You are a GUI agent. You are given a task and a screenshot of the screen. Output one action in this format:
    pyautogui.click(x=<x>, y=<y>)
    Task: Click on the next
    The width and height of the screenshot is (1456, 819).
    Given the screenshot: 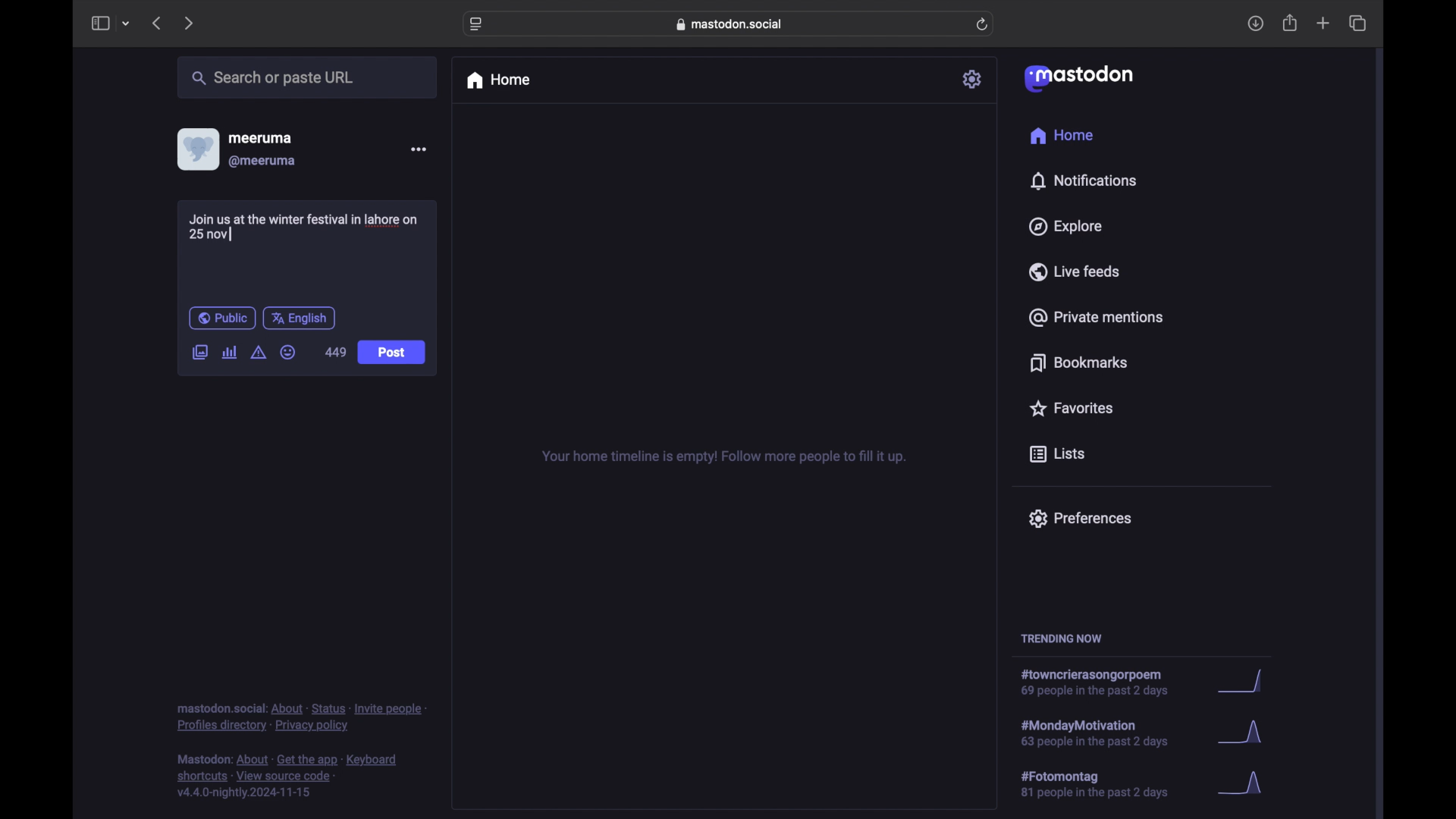 What is the action you would take?
    pyautogui.click(x=190, y=23)
    